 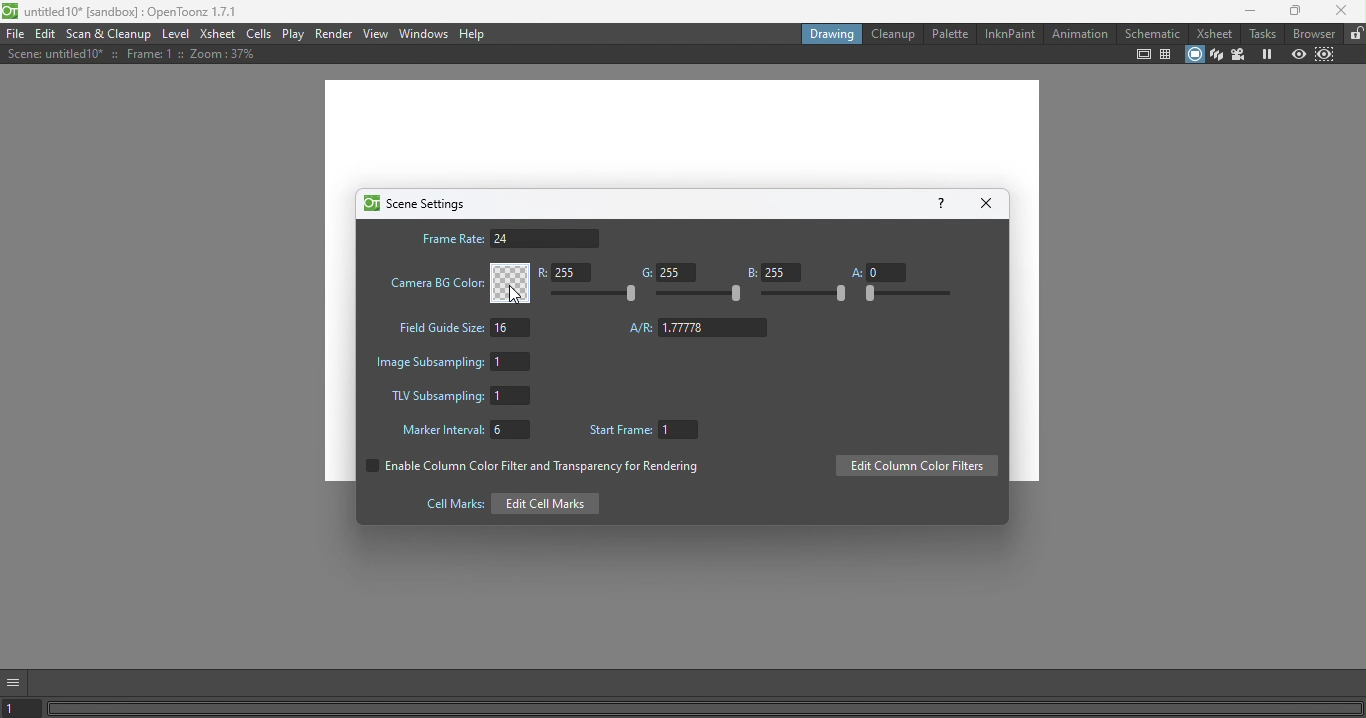 What do you see at coordinates (177, 36) in the screenshot?
I see `Level` at bounding box center [177, 36].